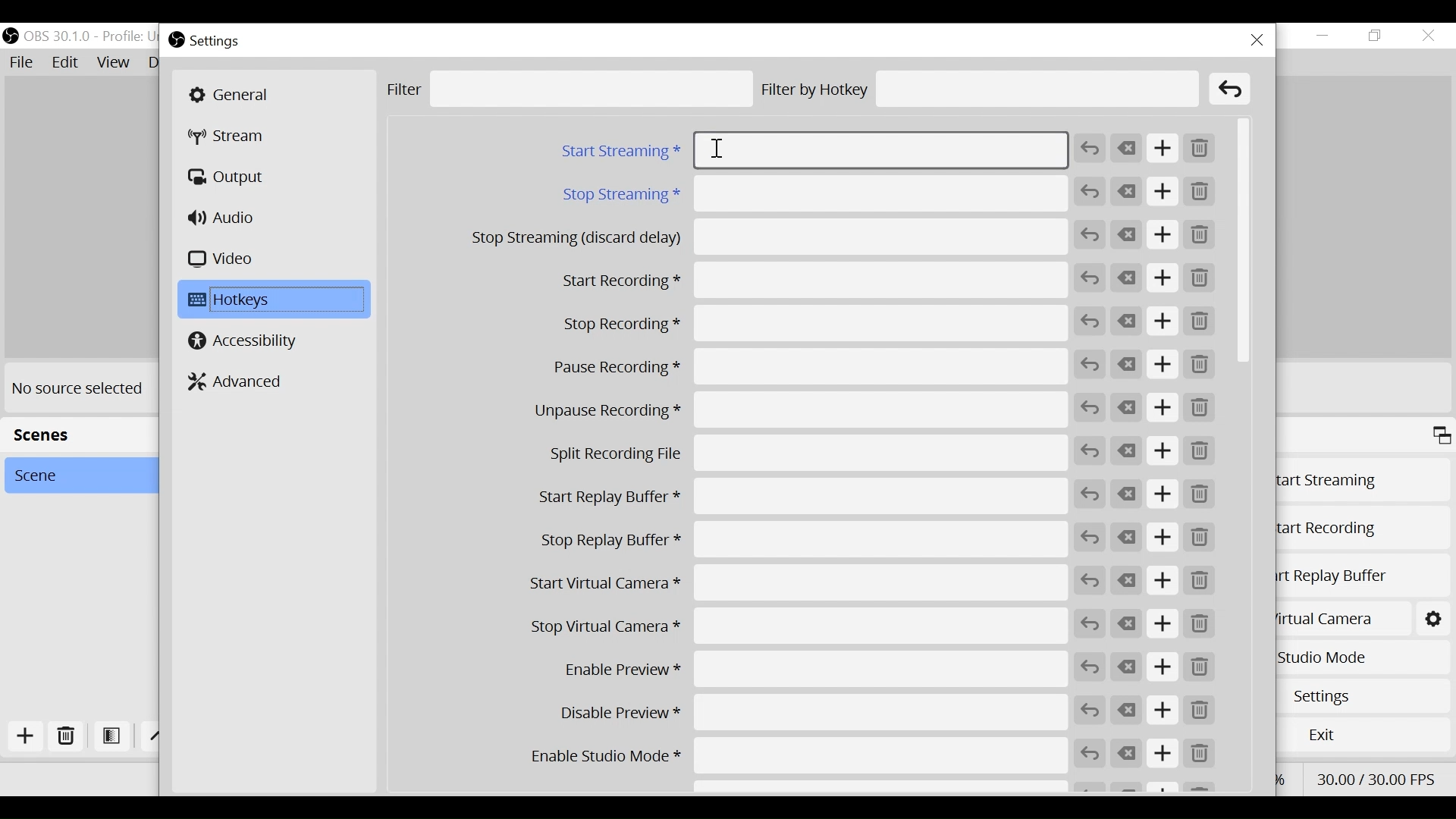 The image size is (1456, 819). What do you see at coordinates (1090, 538) in the screenshot?
I see `Revert` at bounding box center [1090, 538].